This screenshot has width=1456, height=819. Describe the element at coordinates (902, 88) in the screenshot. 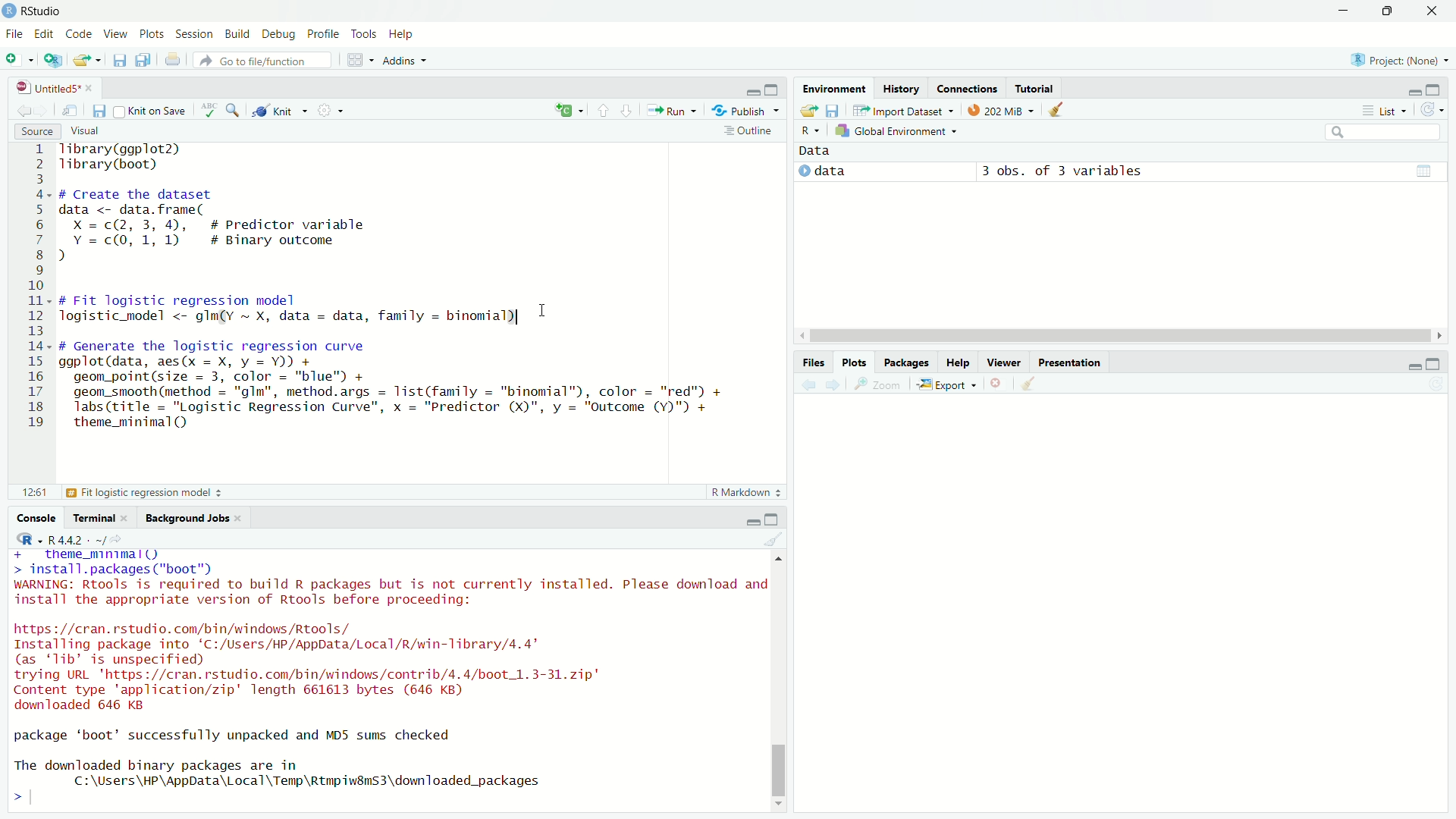

I see `History` at that location.